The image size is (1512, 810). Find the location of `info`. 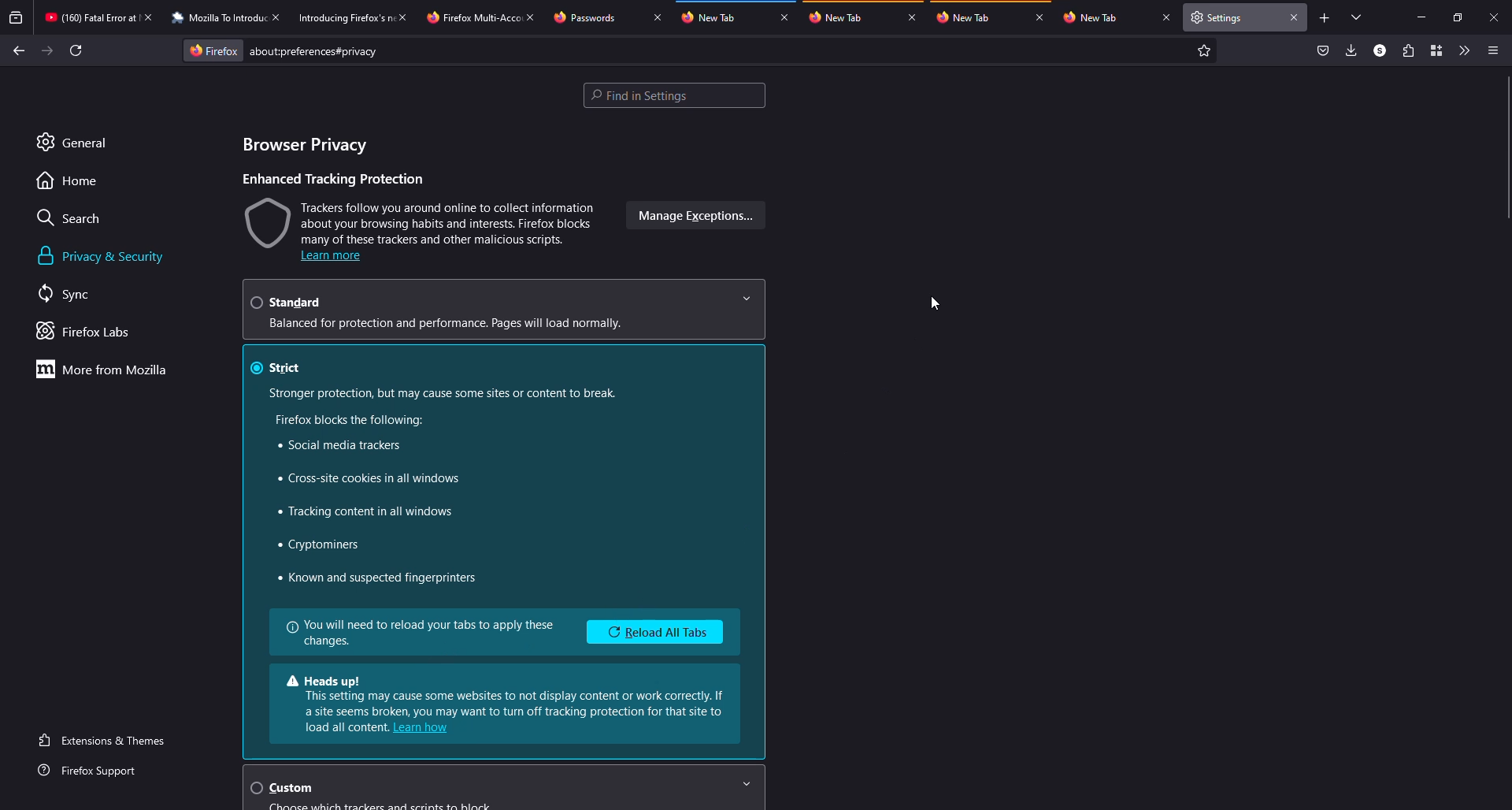

info is located at coordinates (503, 696).